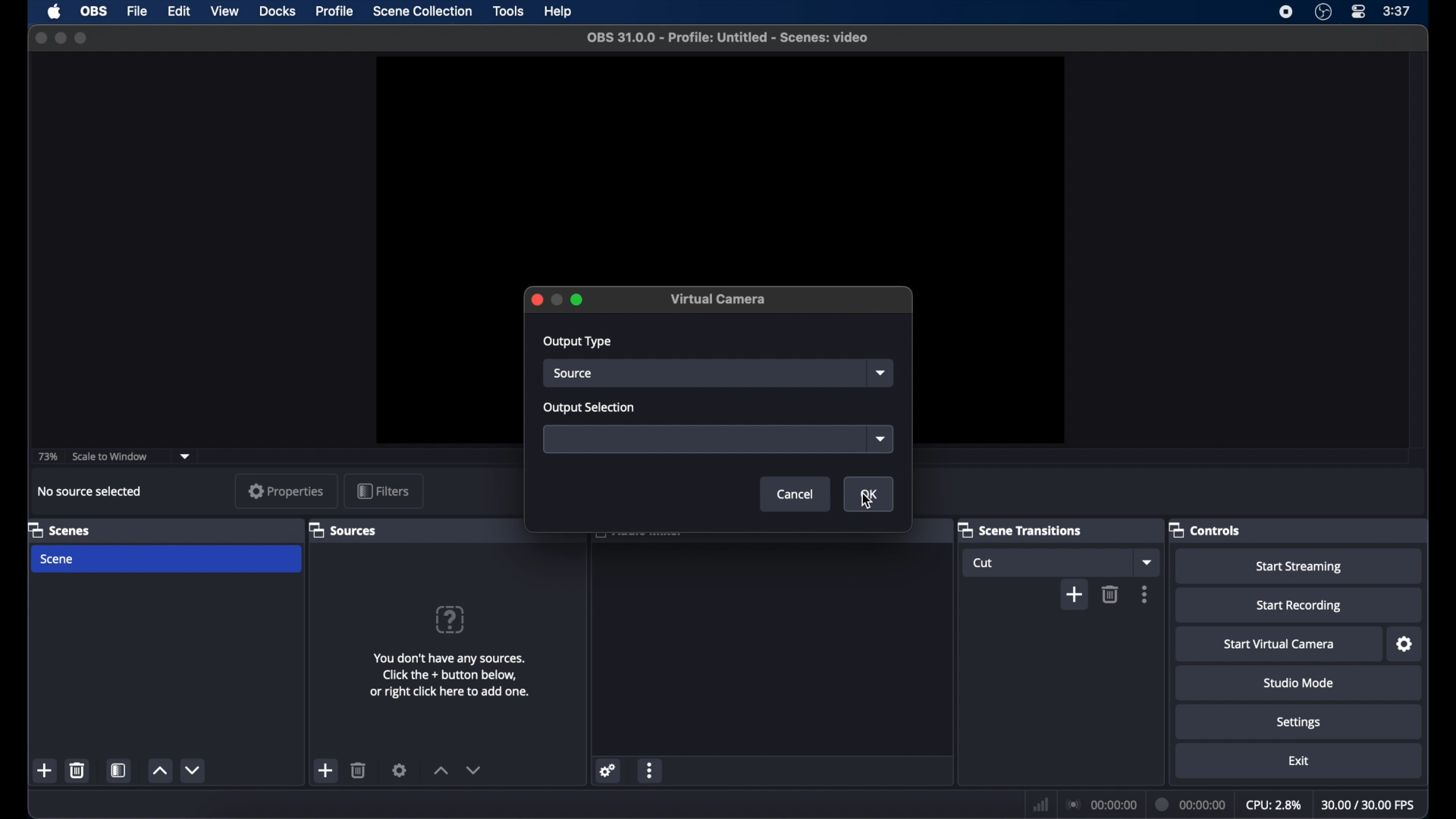 This screenshot has height=819, width=1456. I want to click on connection, so click(1100, 804).